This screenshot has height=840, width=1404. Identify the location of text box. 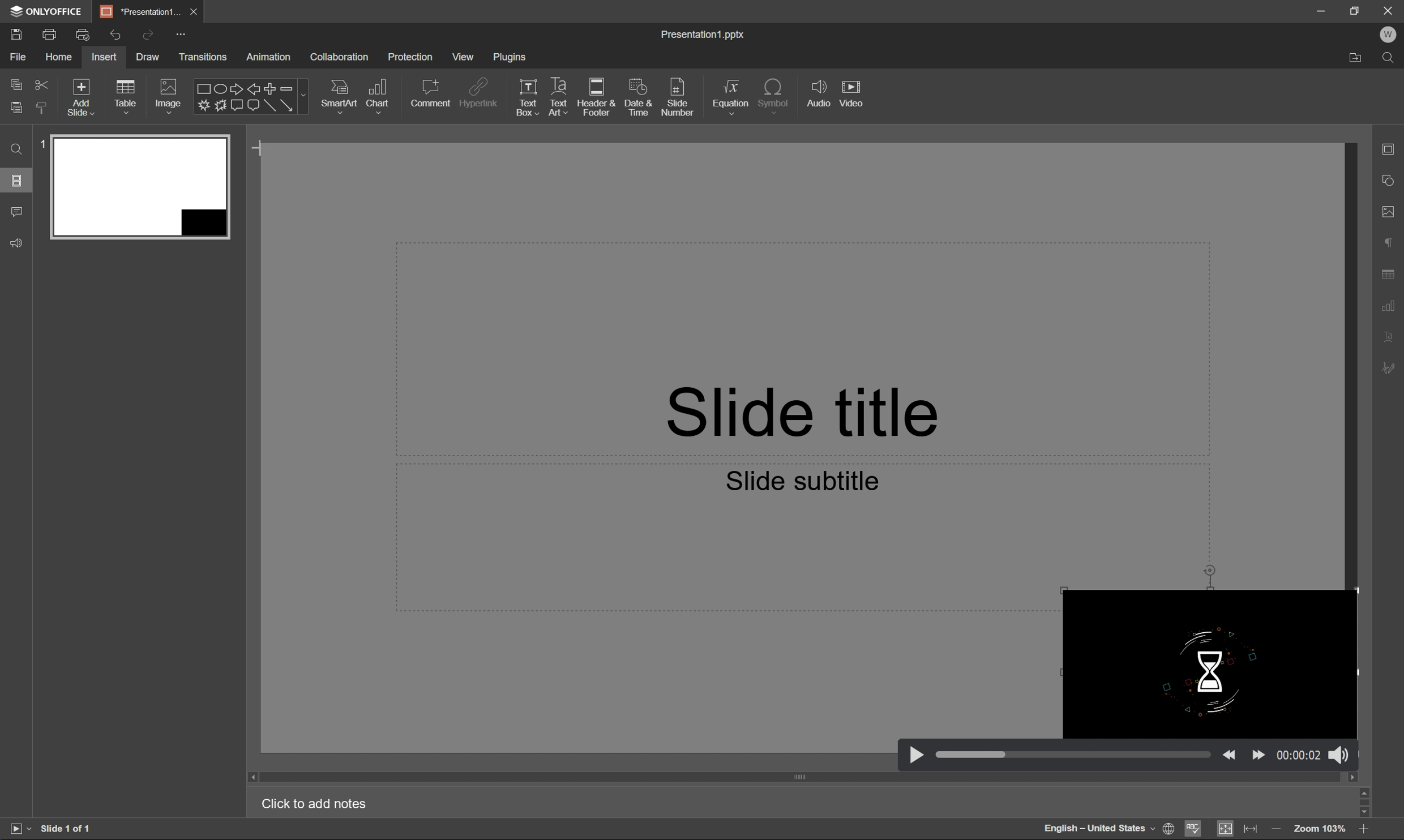
(528, 97).